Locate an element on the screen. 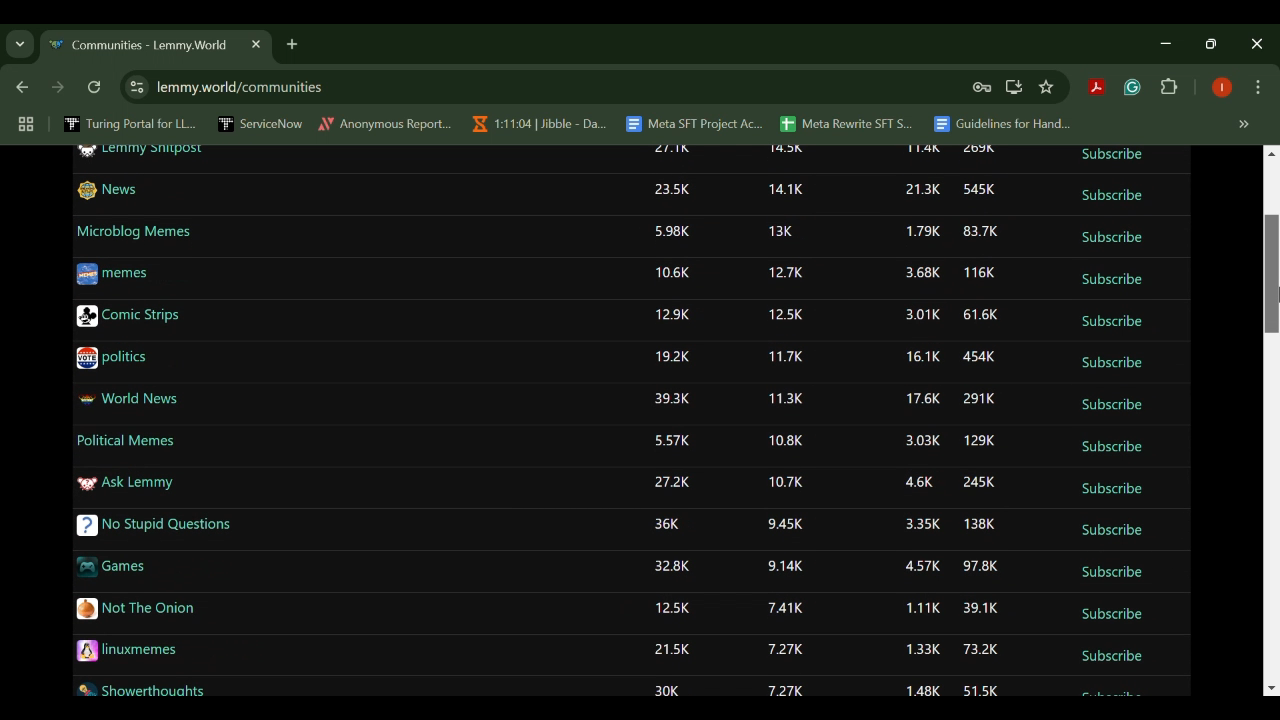 Image resolution: width=1280 pixels, height=720 pixels. Grammarly Extension is located at coordinates (1130, 88).